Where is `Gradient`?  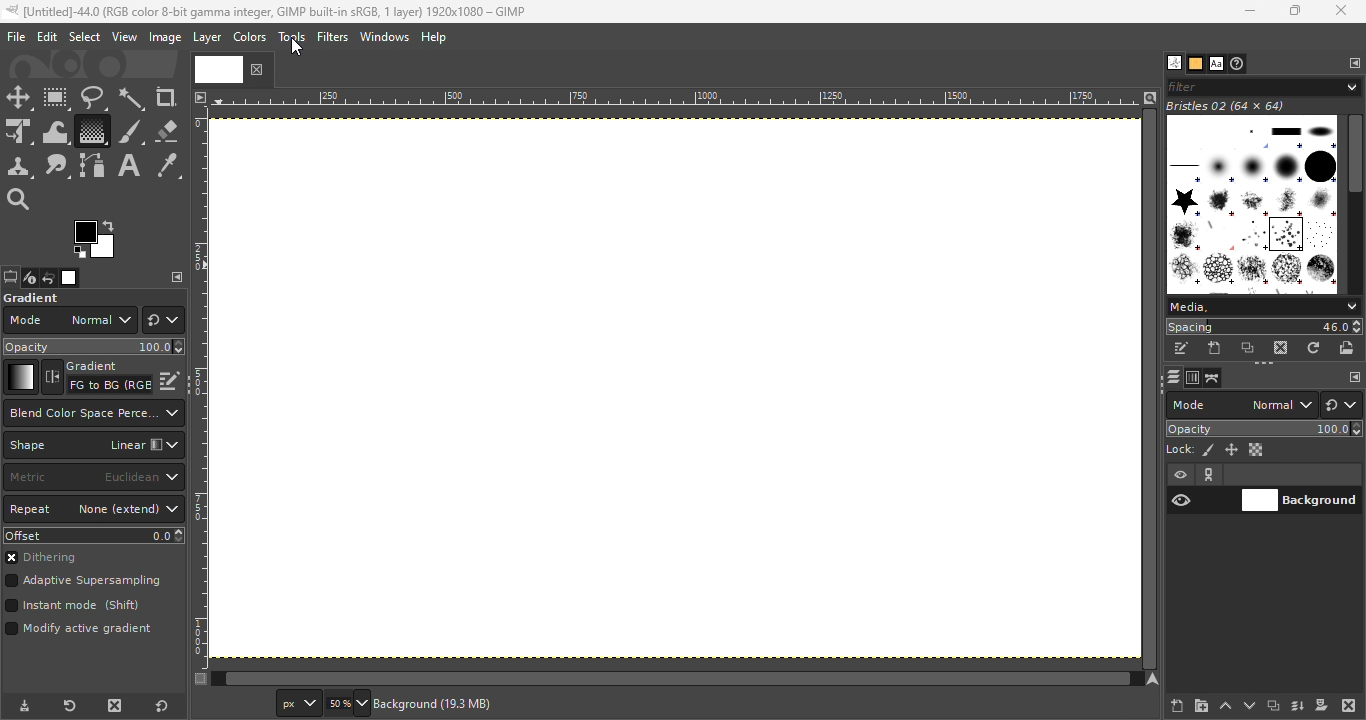 Gradient is located at coordinates (20, 377).